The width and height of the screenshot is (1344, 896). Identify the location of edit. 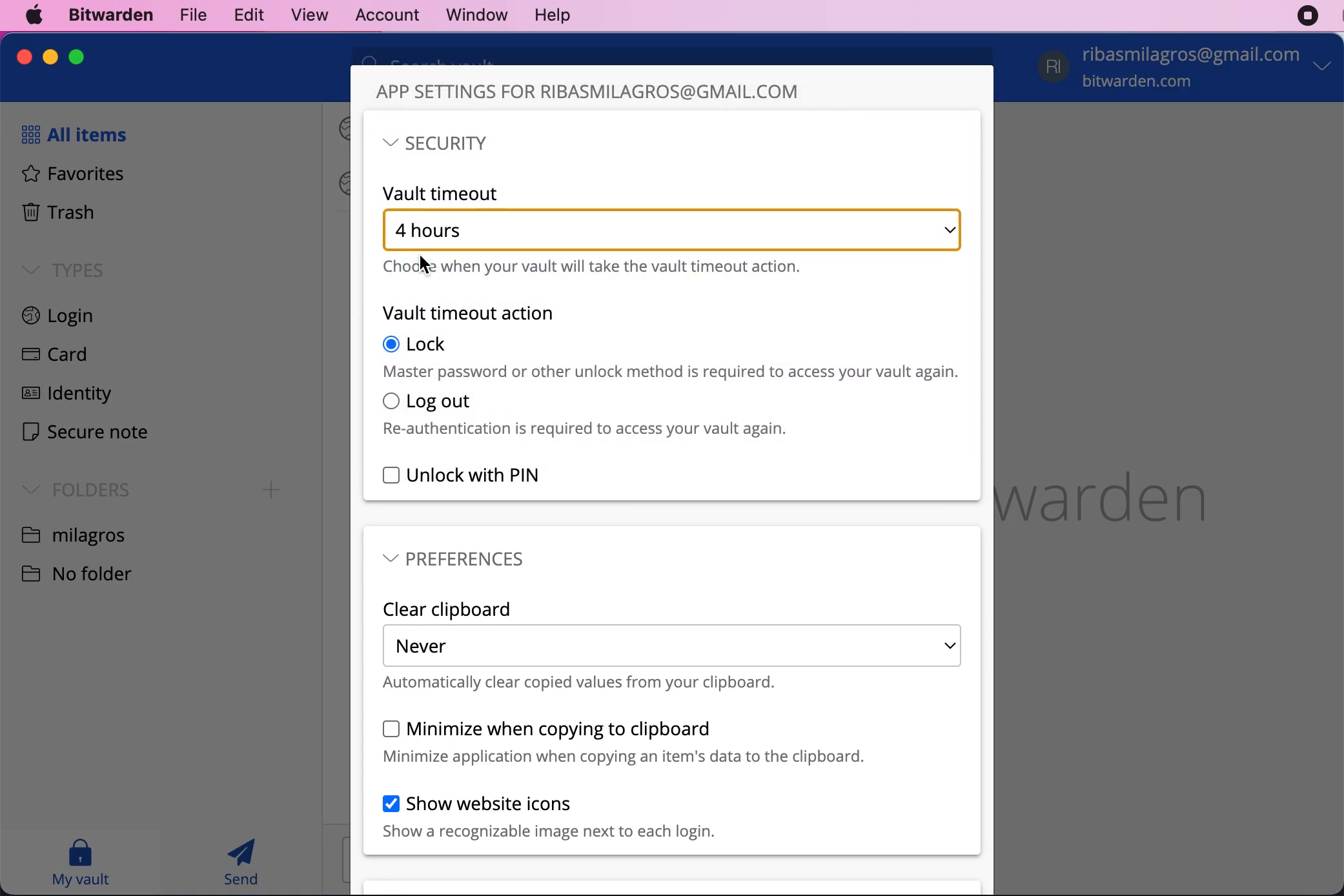
(245, 14).